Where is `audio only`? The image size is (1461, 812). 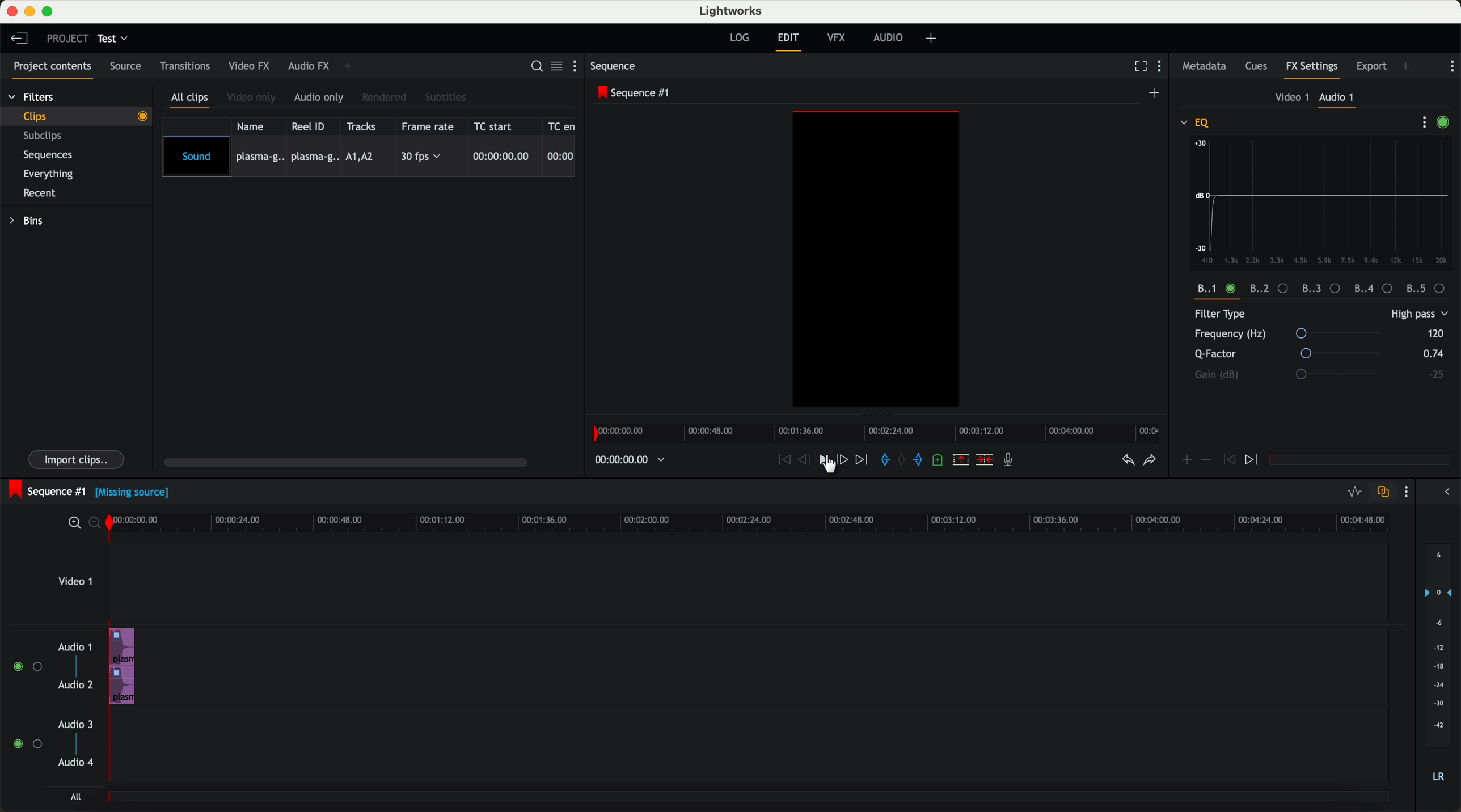
audio only is located at coordinates (320, 98).